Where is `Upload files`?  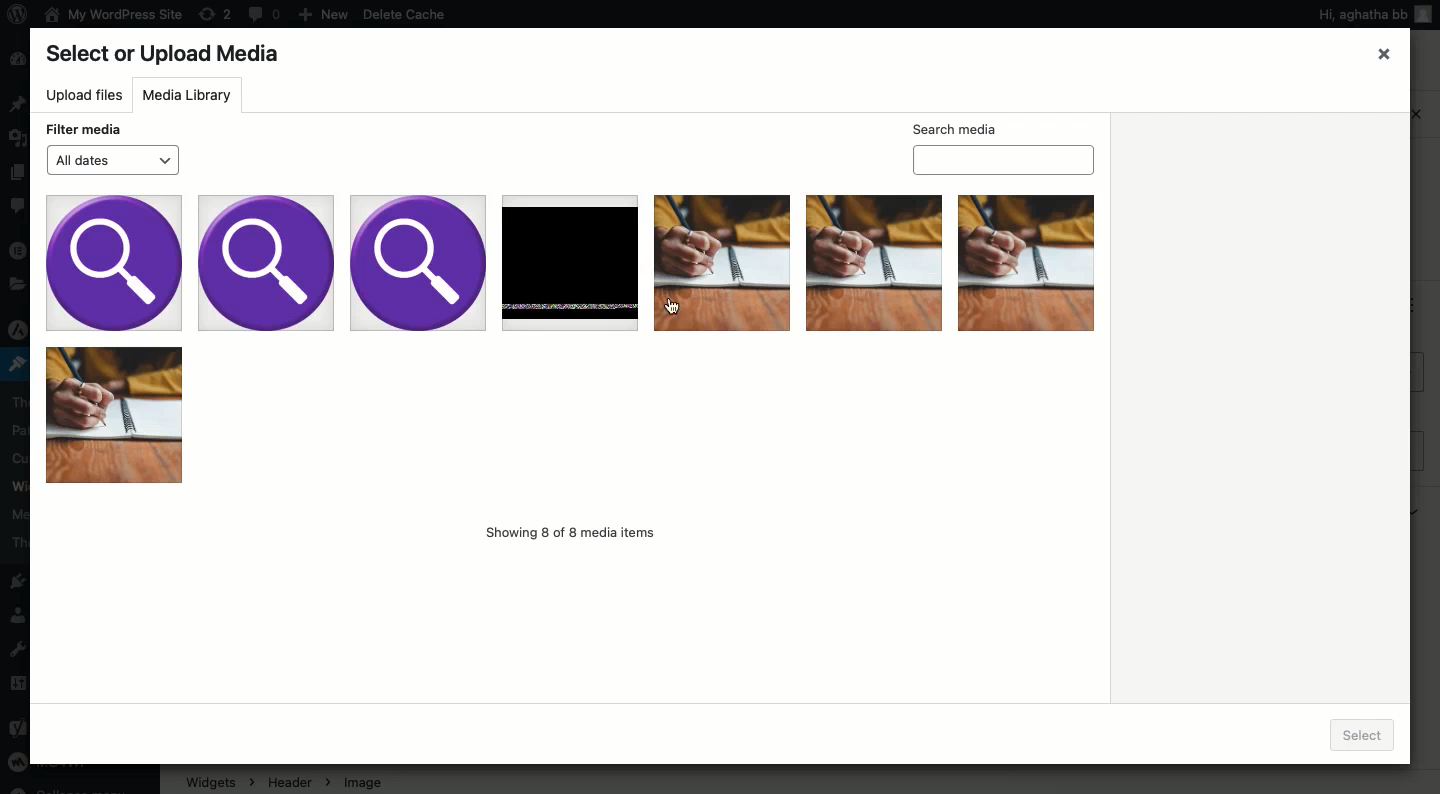 Upload files is located at coordinates (84, 96).